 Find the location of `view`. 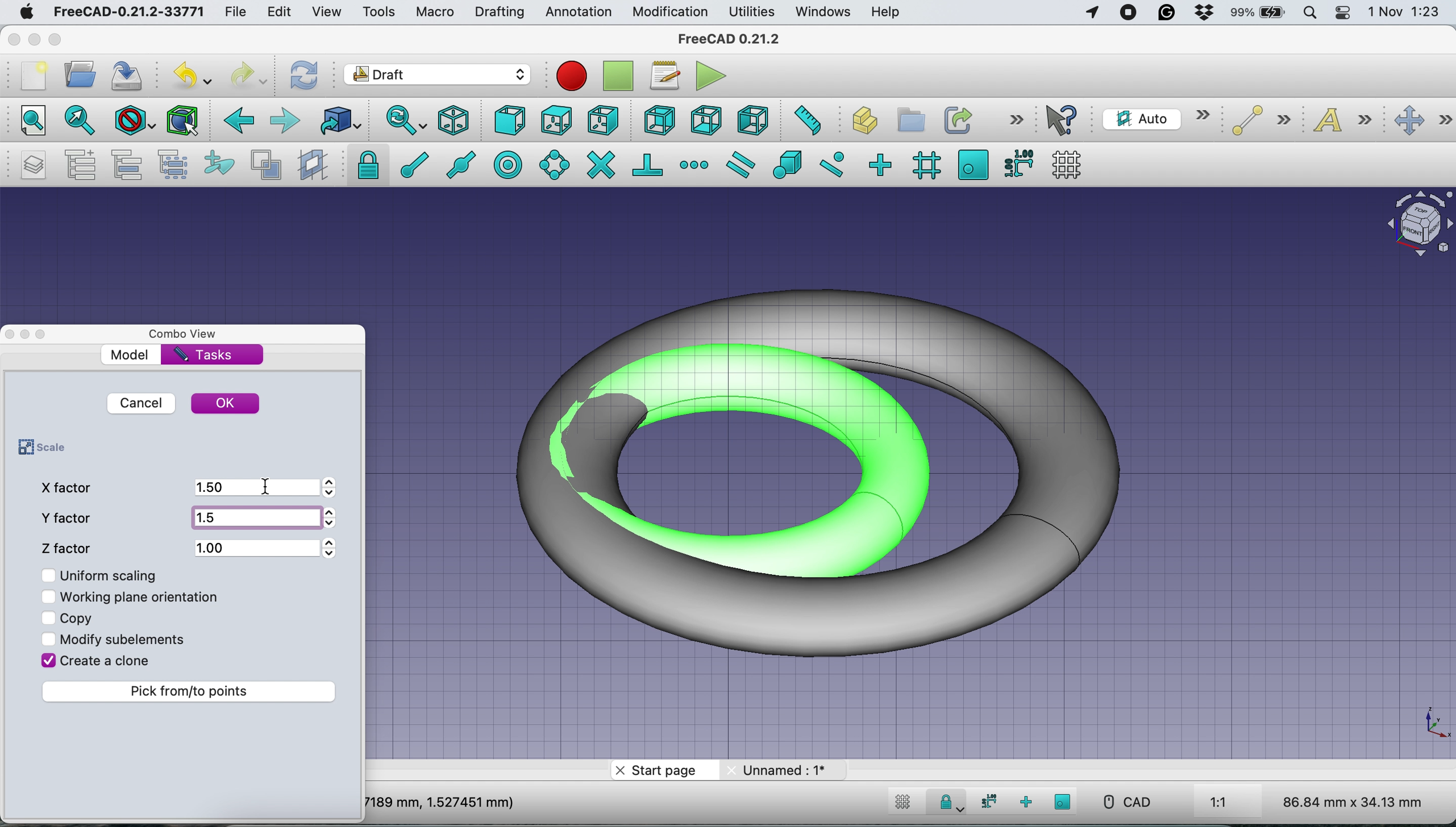

view is located at coordinates (326, 13).